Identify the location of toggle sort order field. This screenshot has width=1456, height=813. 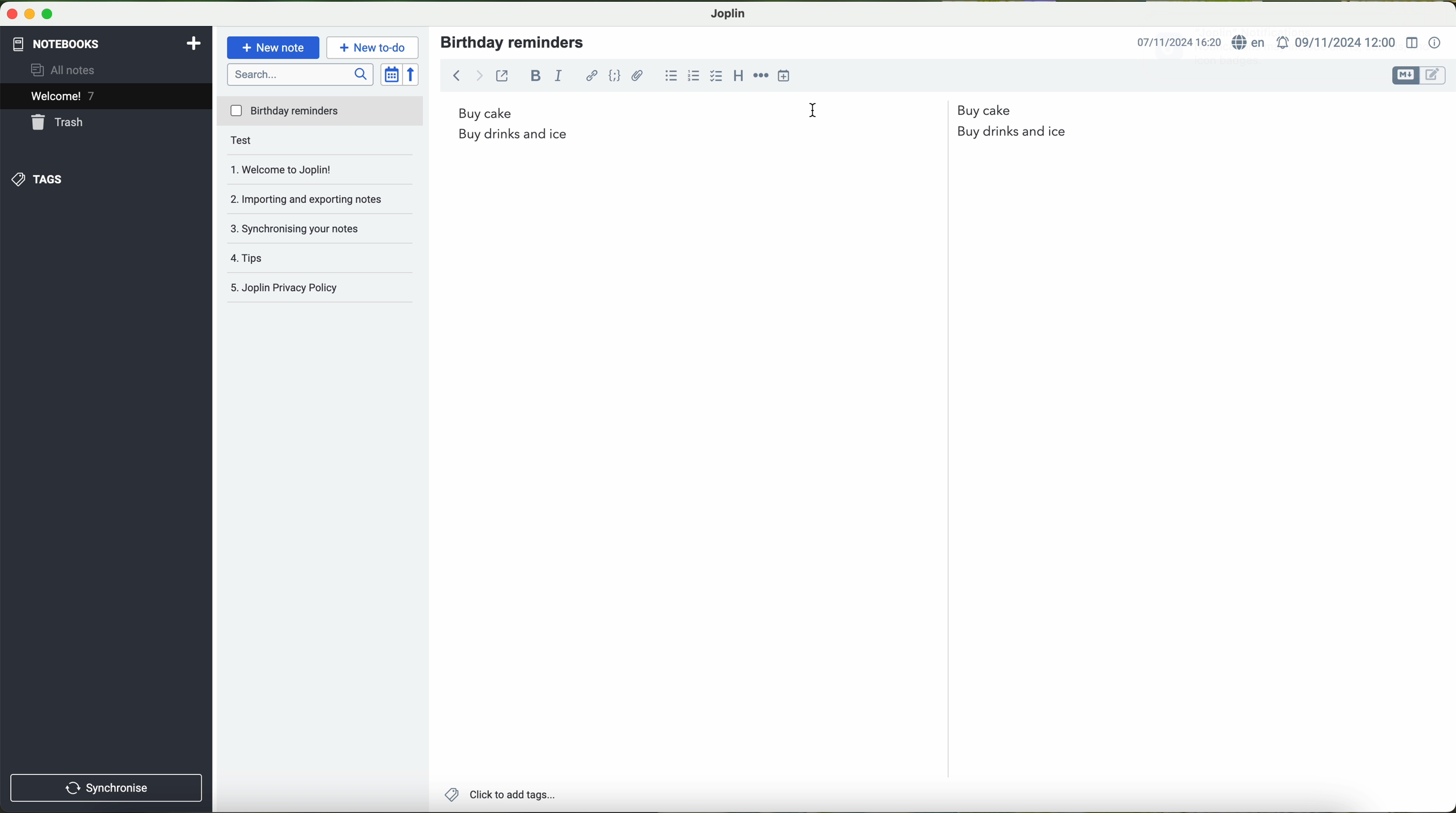
(391, 74).